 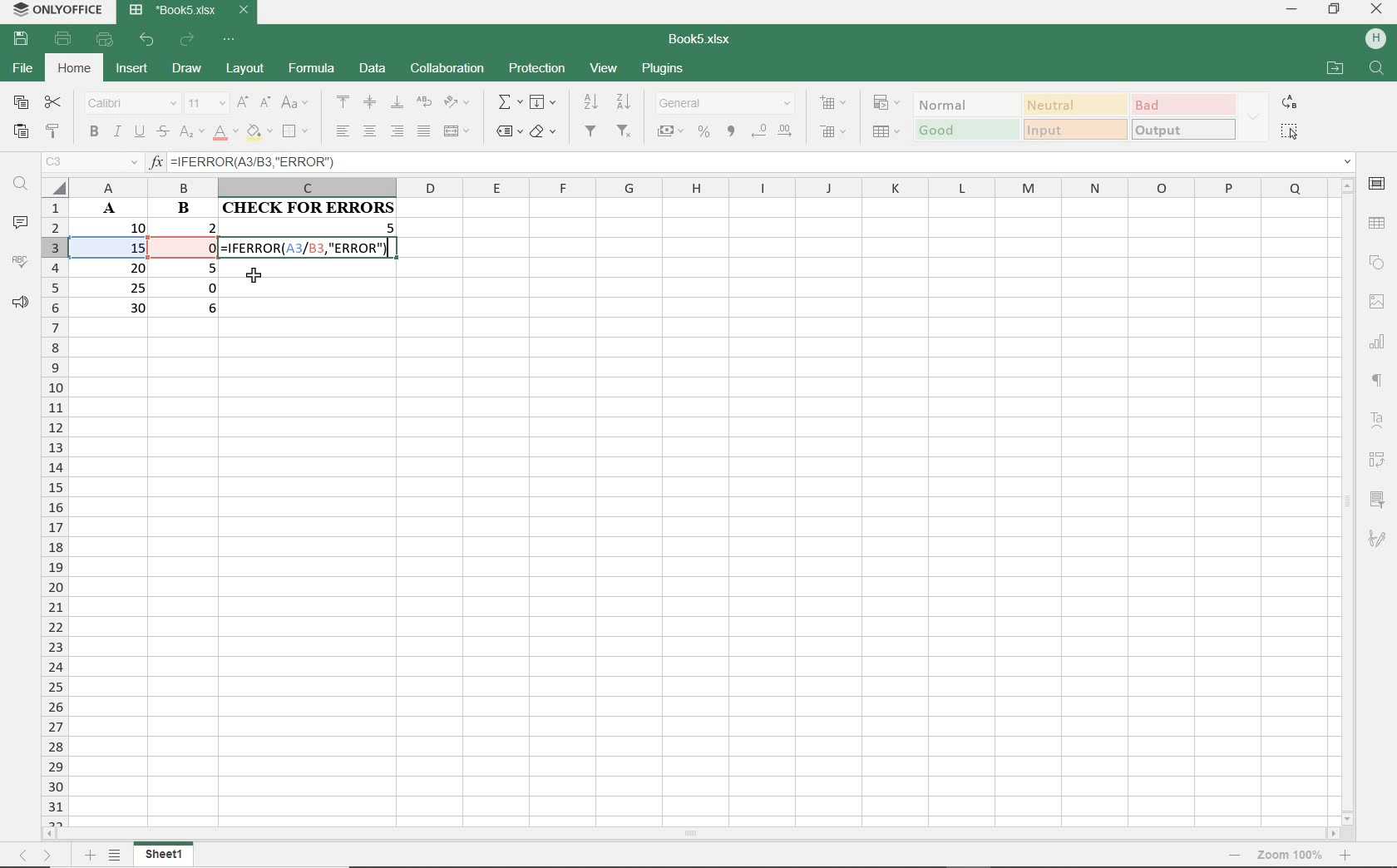 What do you see at coordinates (1291, 855) in the screenshot?
I see `` at bounding box center [1291, 855].